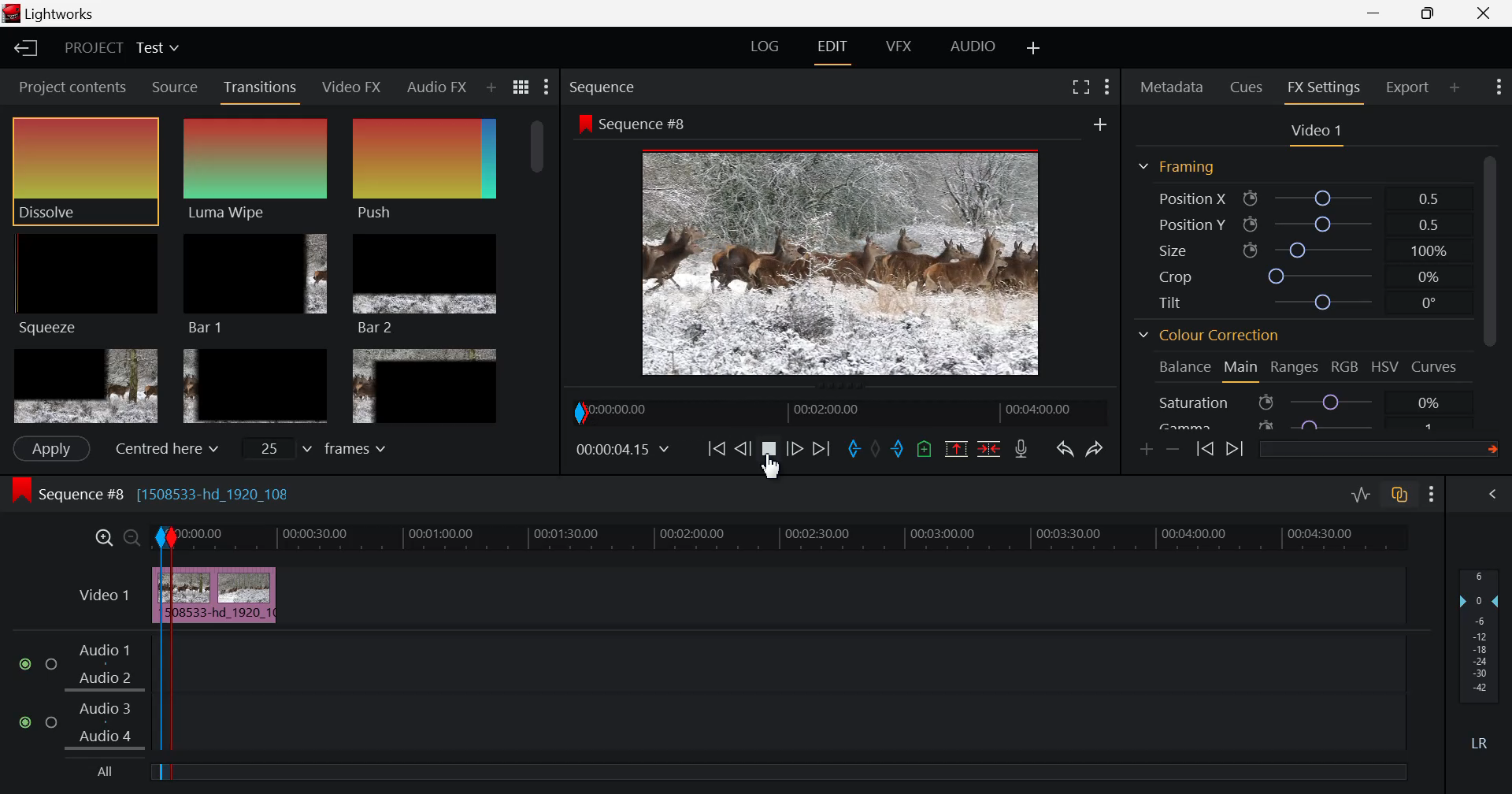  Describe the element at coordinates (258, 169) in the screenshot. I see `Luma Wipe` at that location.